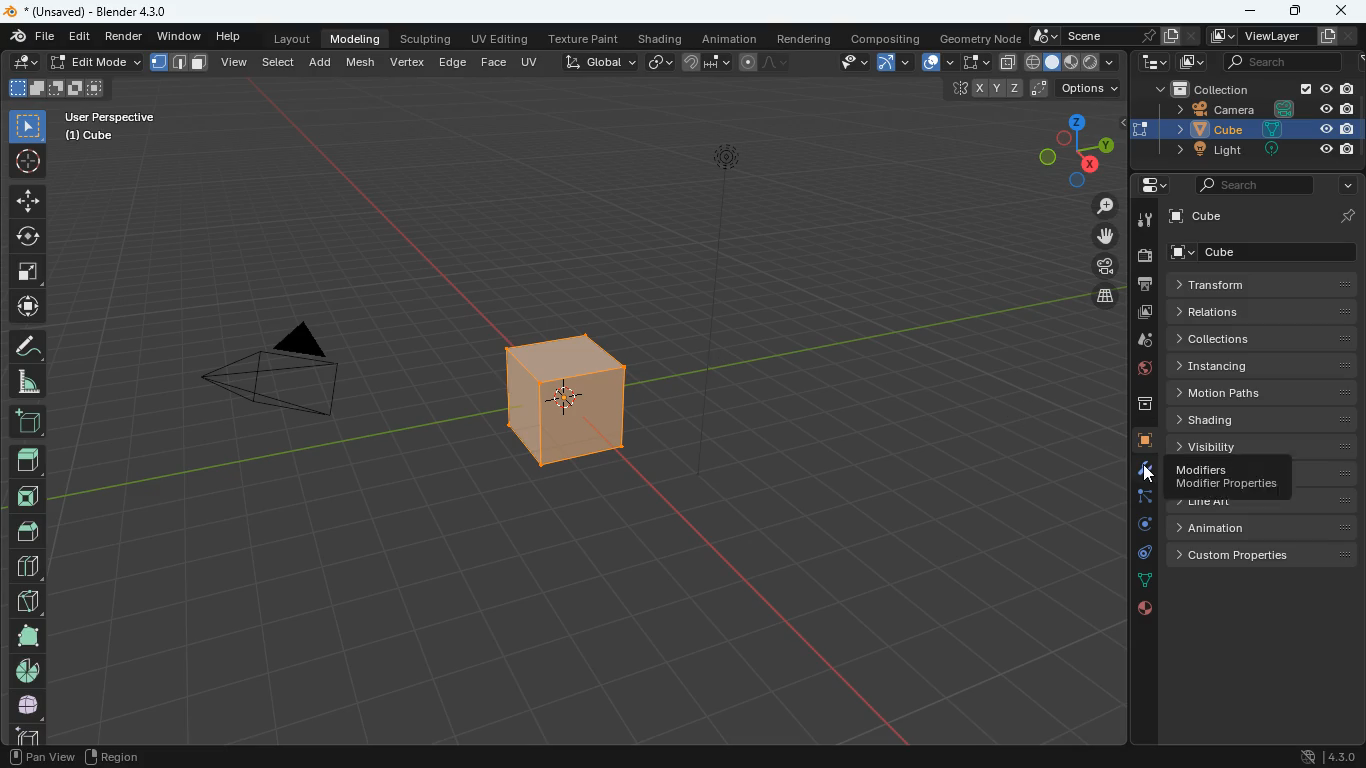 The image size is (1366, 768). I want to click on cube, so click(1247, 130).